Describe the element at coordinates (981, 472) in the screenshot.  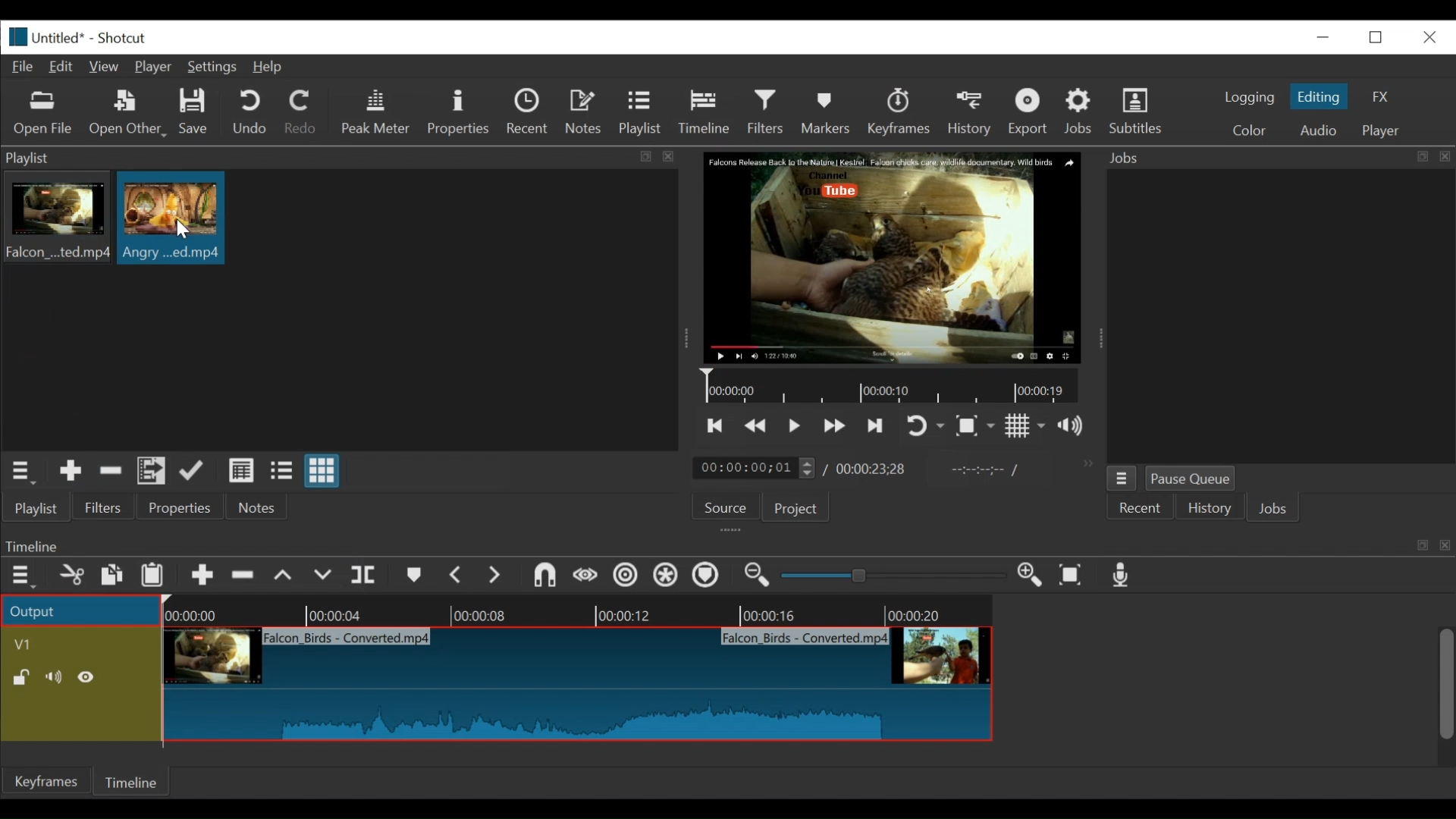
I see `in point` at that location.